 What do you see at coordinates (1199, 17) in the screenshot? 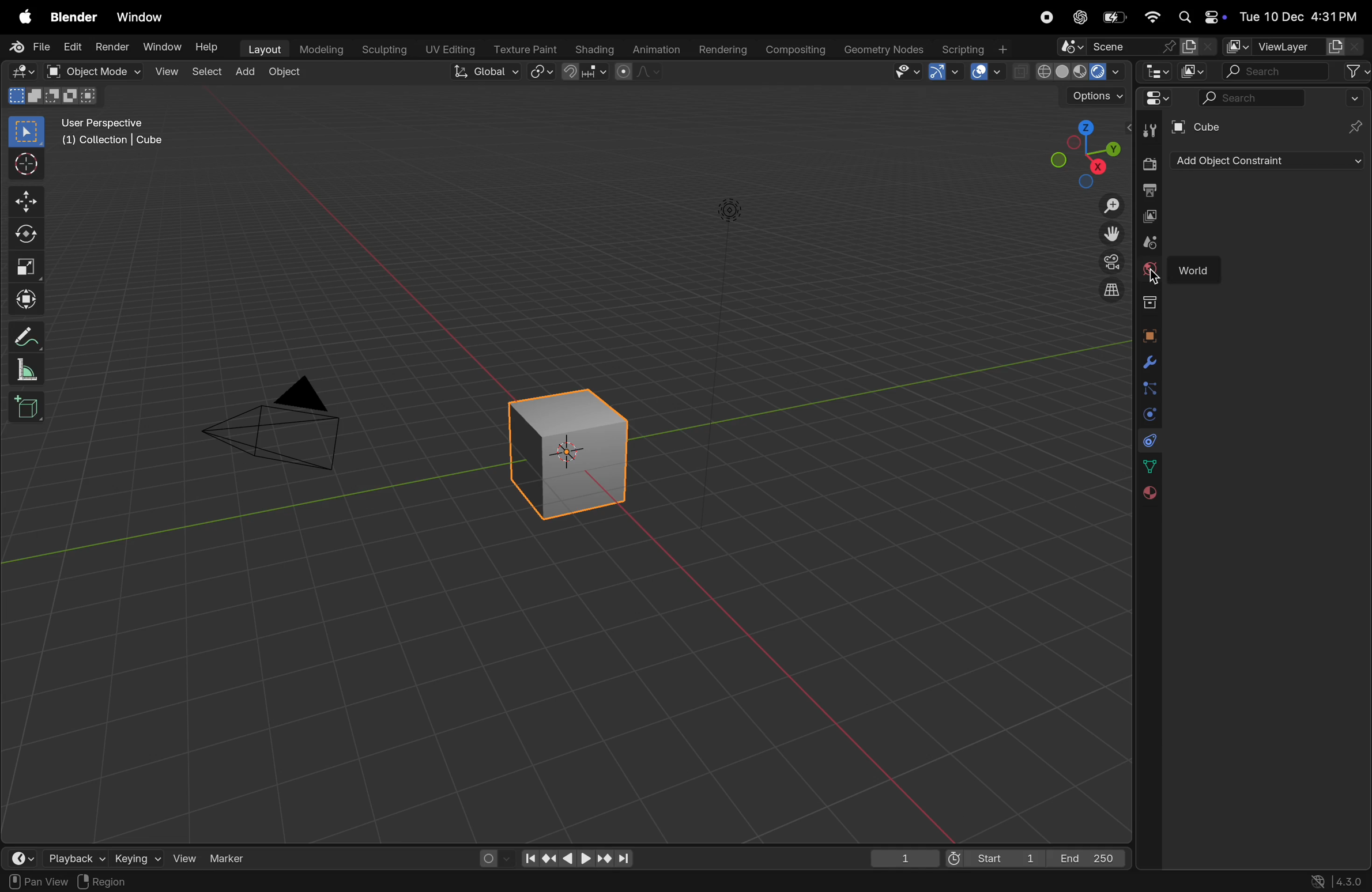
I see `apple widgets` at bounding box center [1199, 17].